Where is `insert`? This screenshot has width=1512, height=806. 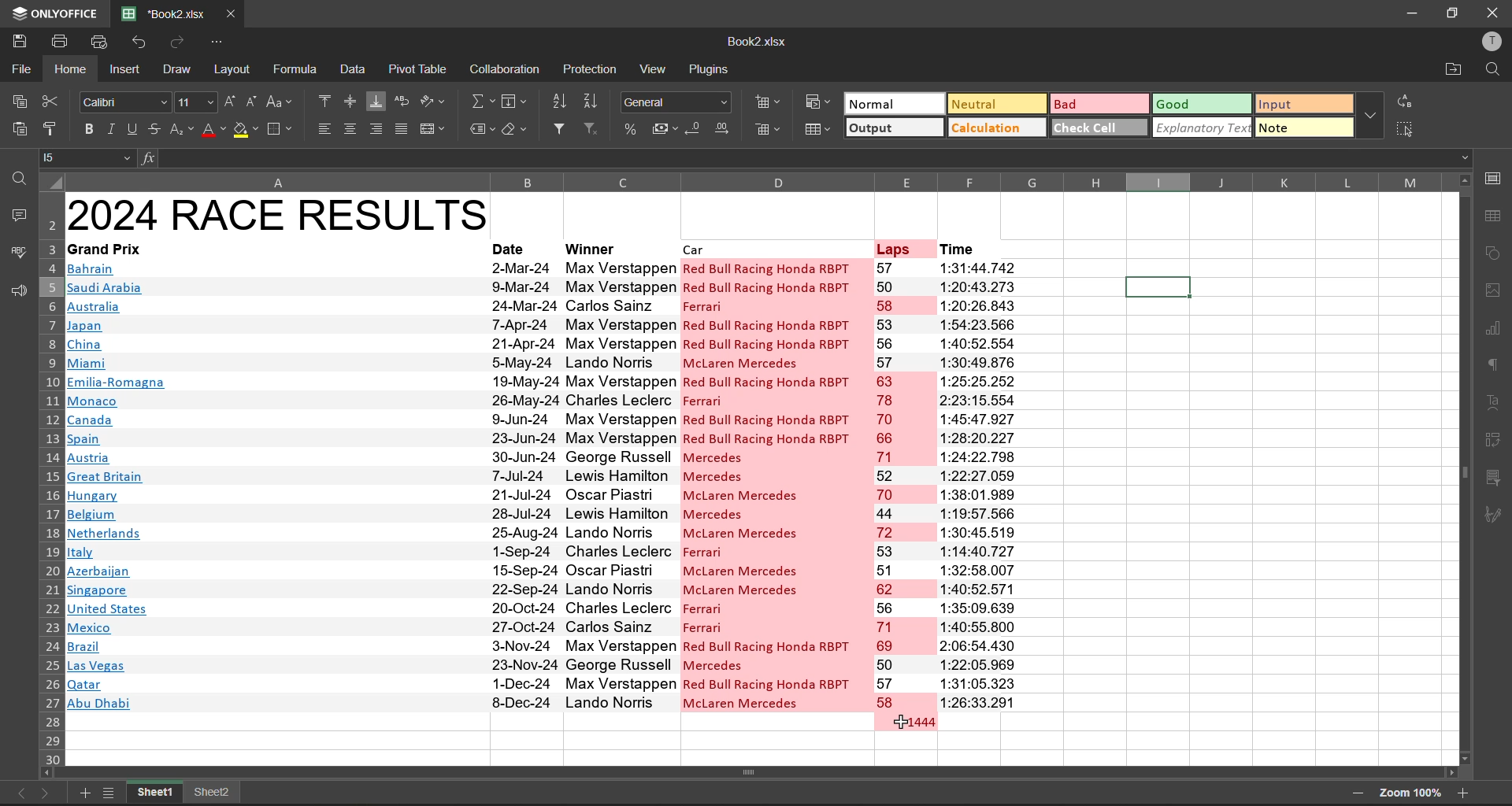 insert is located at coordinates (128, 71).